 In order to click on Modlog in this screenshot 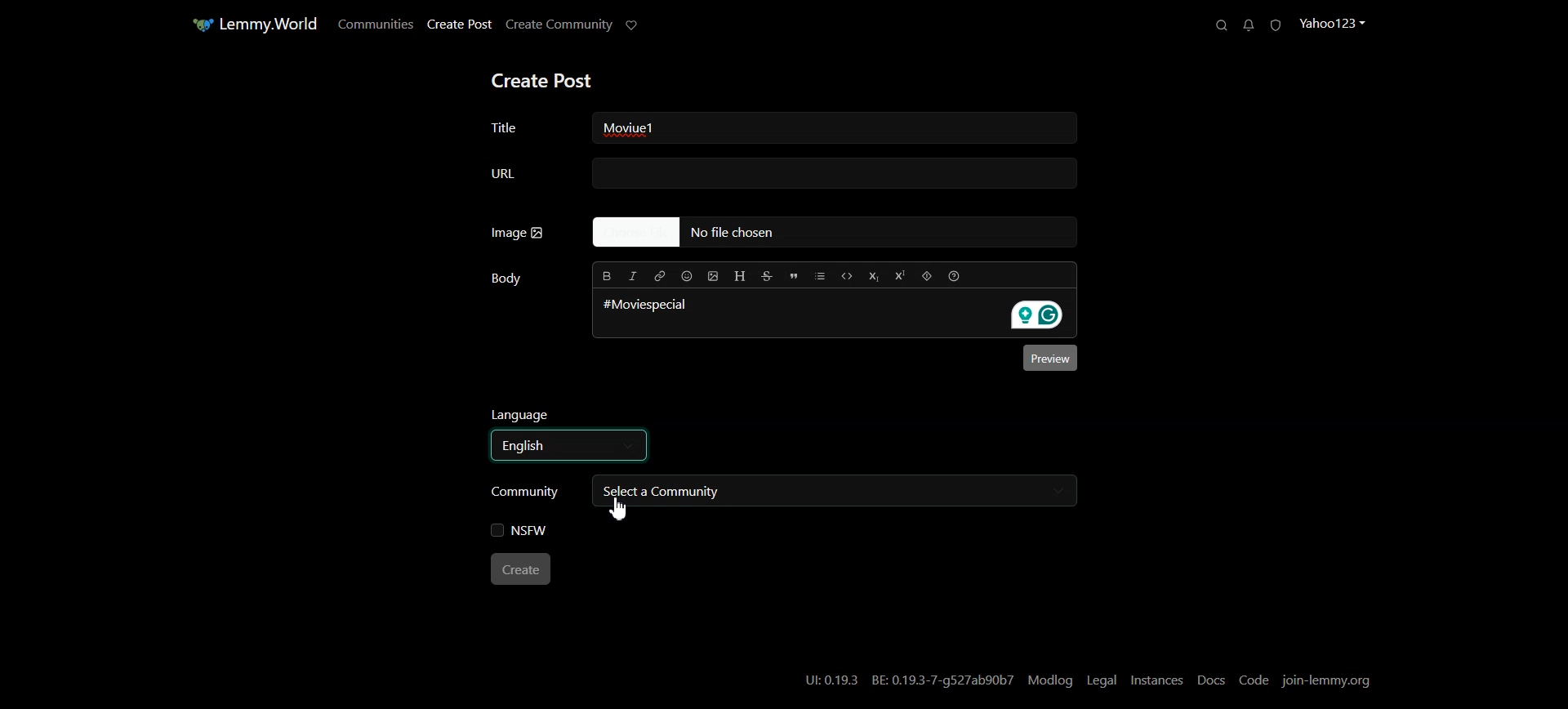, I will do `click(1052, 680)`.